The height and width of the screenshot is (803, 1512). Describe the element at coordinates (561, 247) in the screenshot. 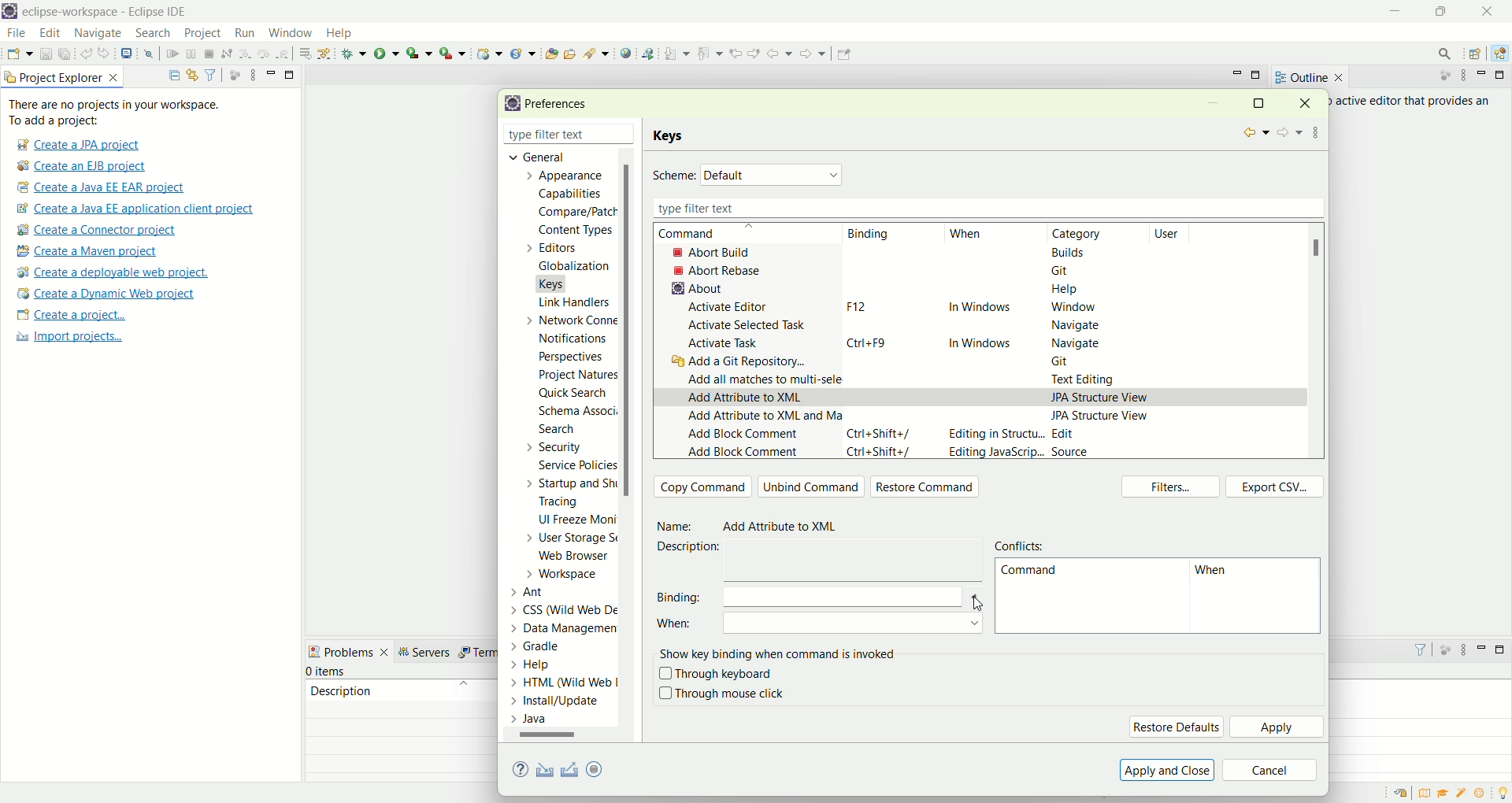

I see `editors` at that location.